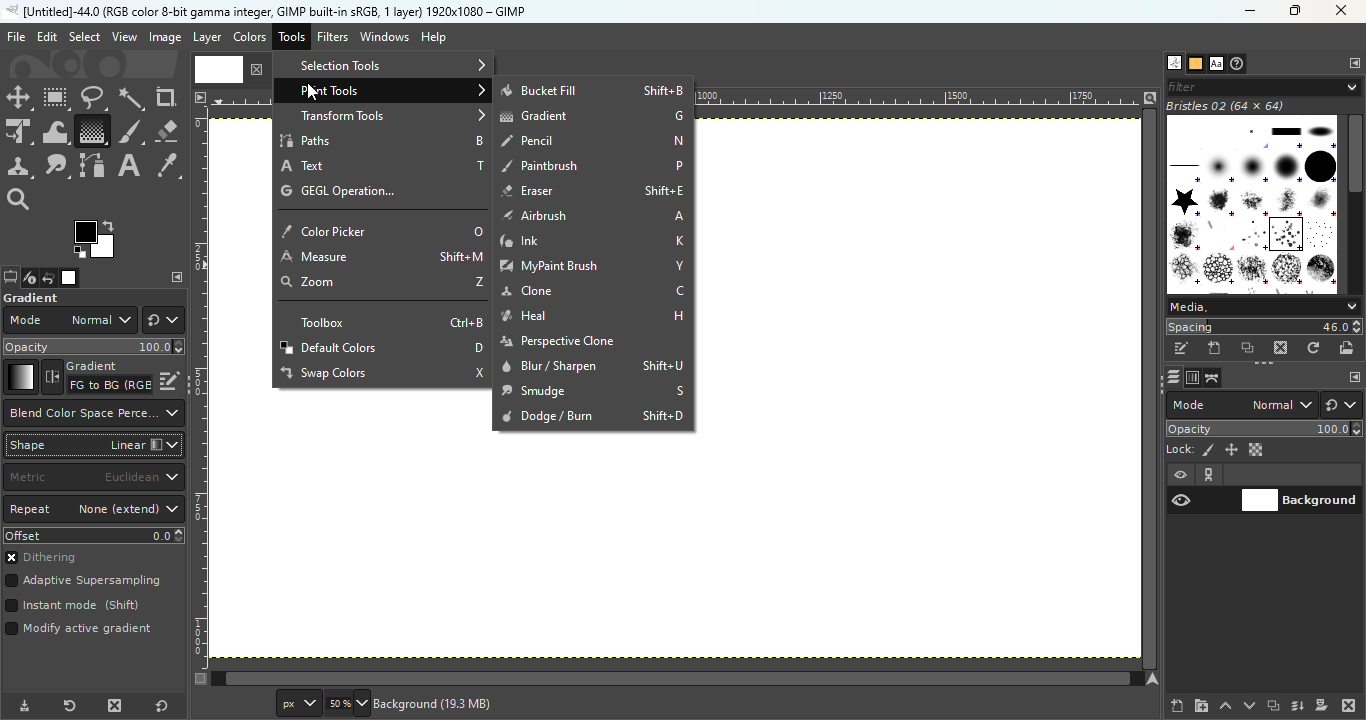 This screenshot has width=1366, height=720. Describe the element at coordinates (1191, 376) in the screenshot. I see `Open the channels dialog` at that location.